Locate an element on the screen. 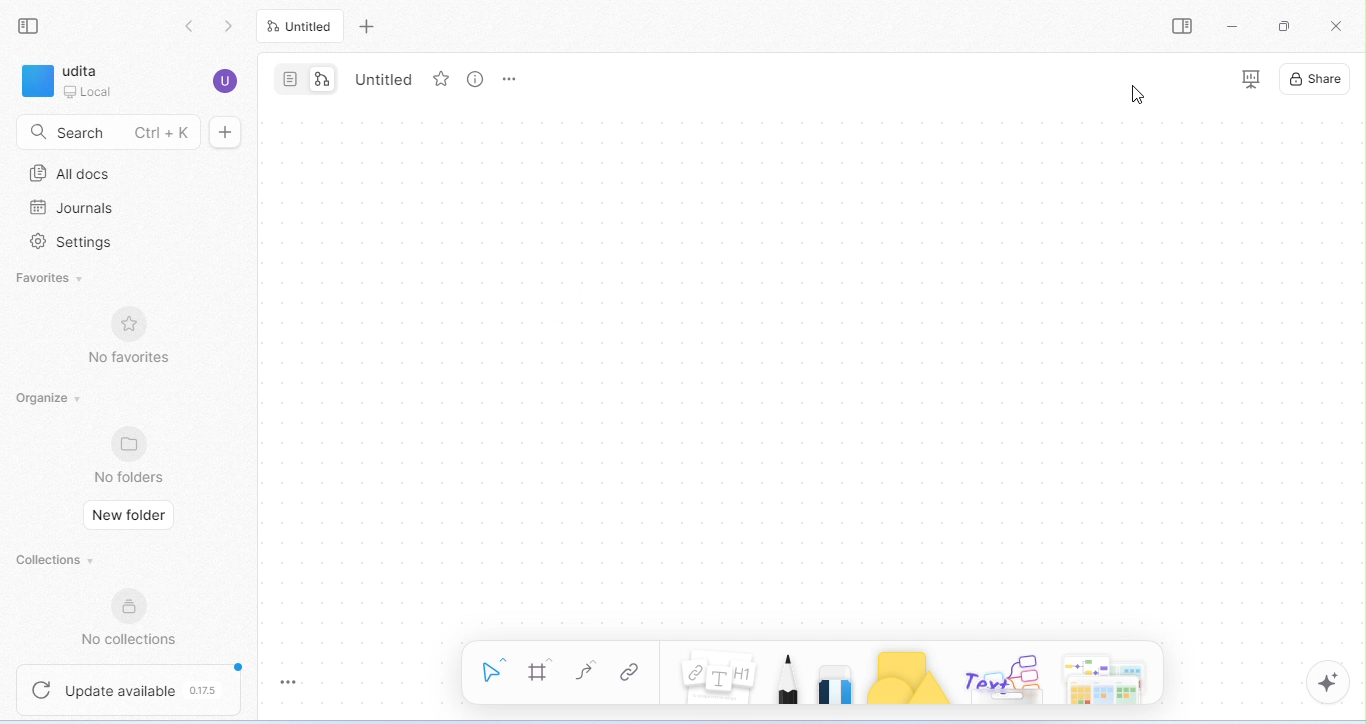  favorite is located at coordinates (443, 81).